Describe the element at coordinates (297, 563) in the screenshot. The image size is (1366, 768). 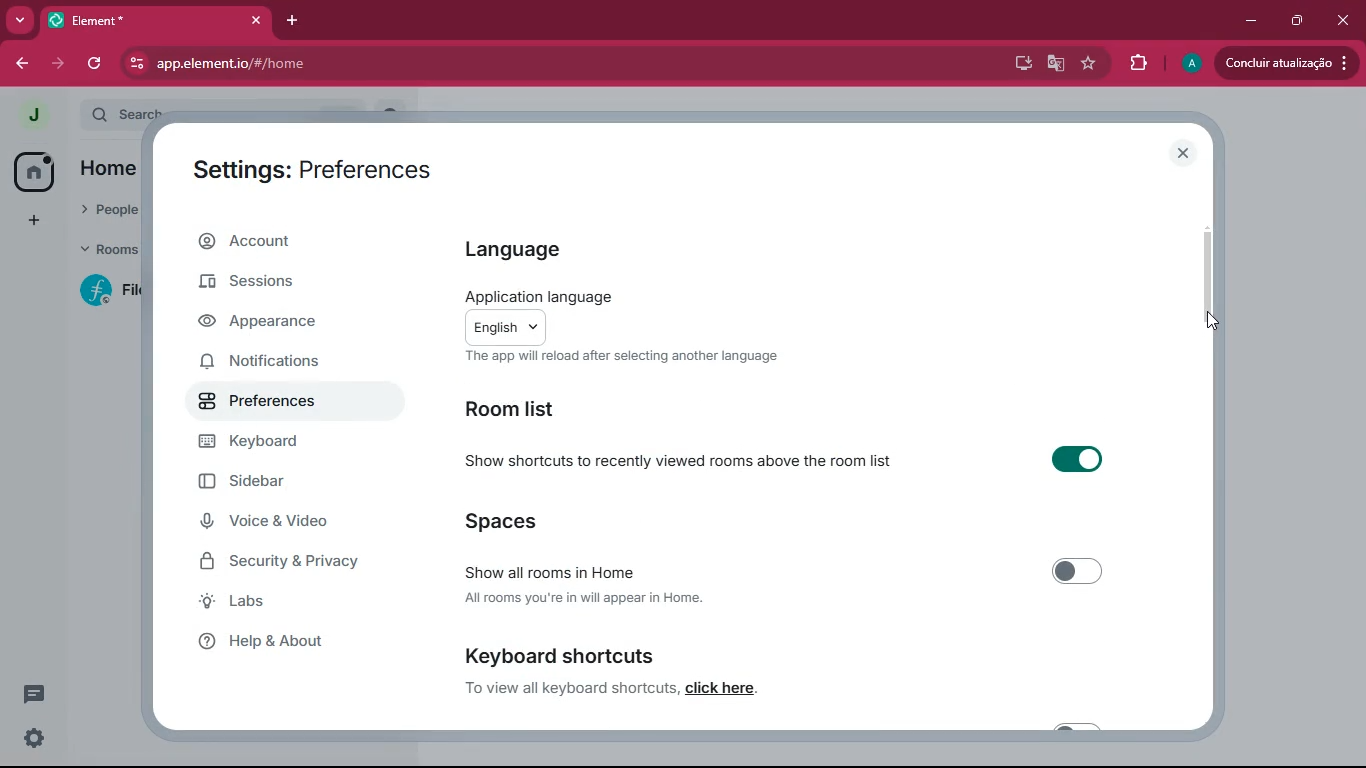
I see `security` at that location.